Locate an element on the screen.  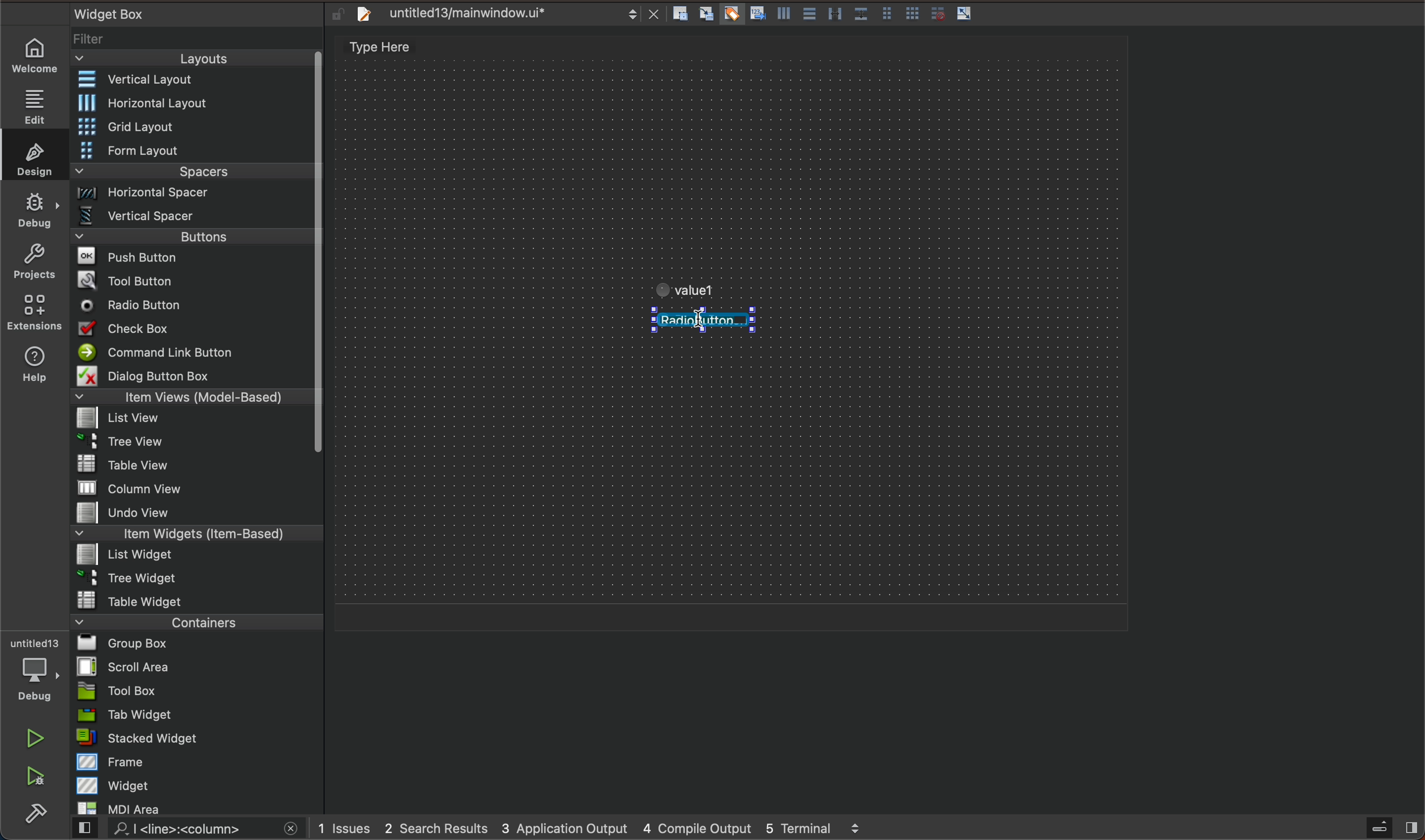
 is located at coordinates (886, 15).